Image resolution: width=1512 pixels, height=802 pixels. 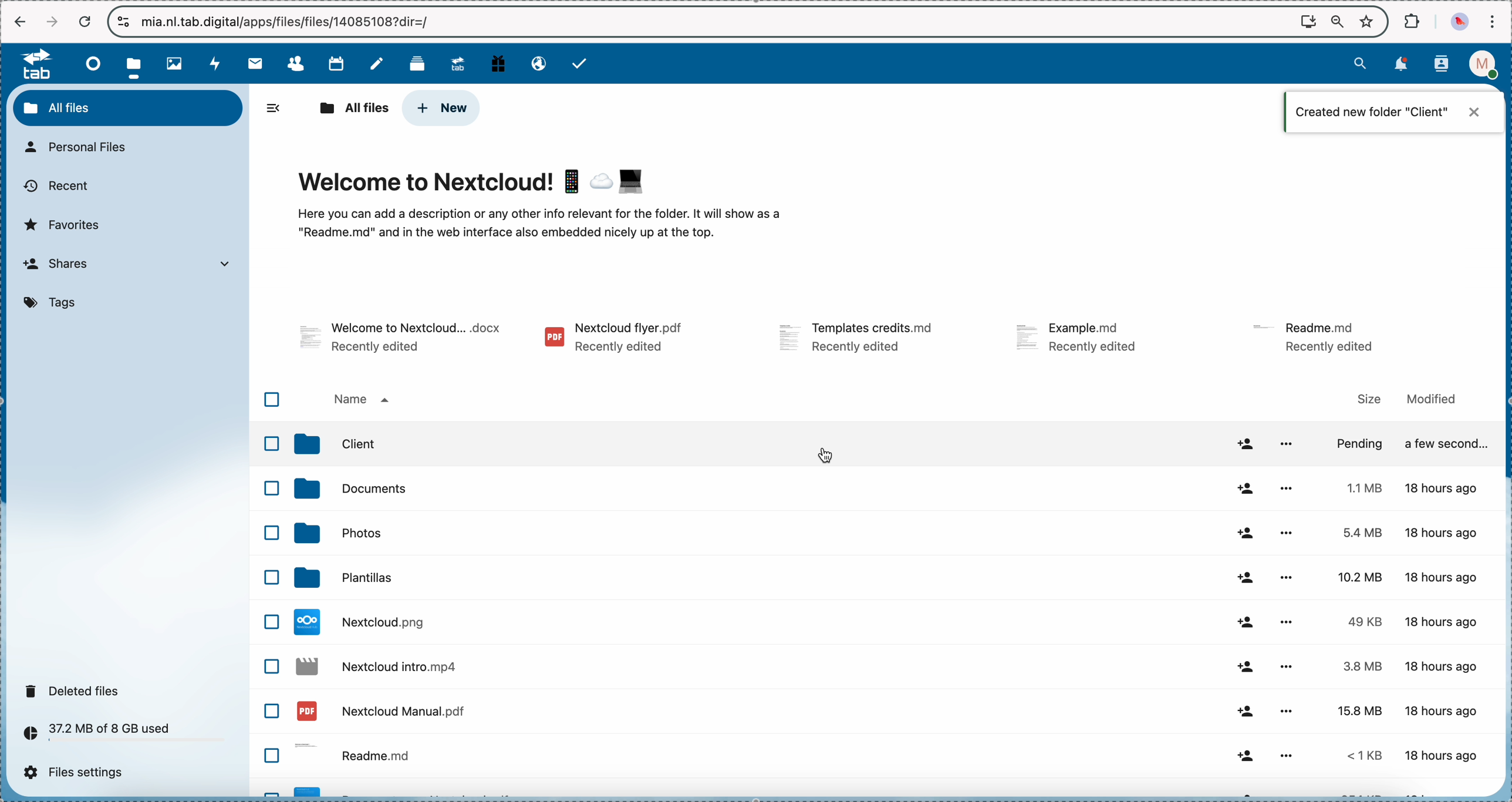 I want to click on file, so click(x=879, y=791).